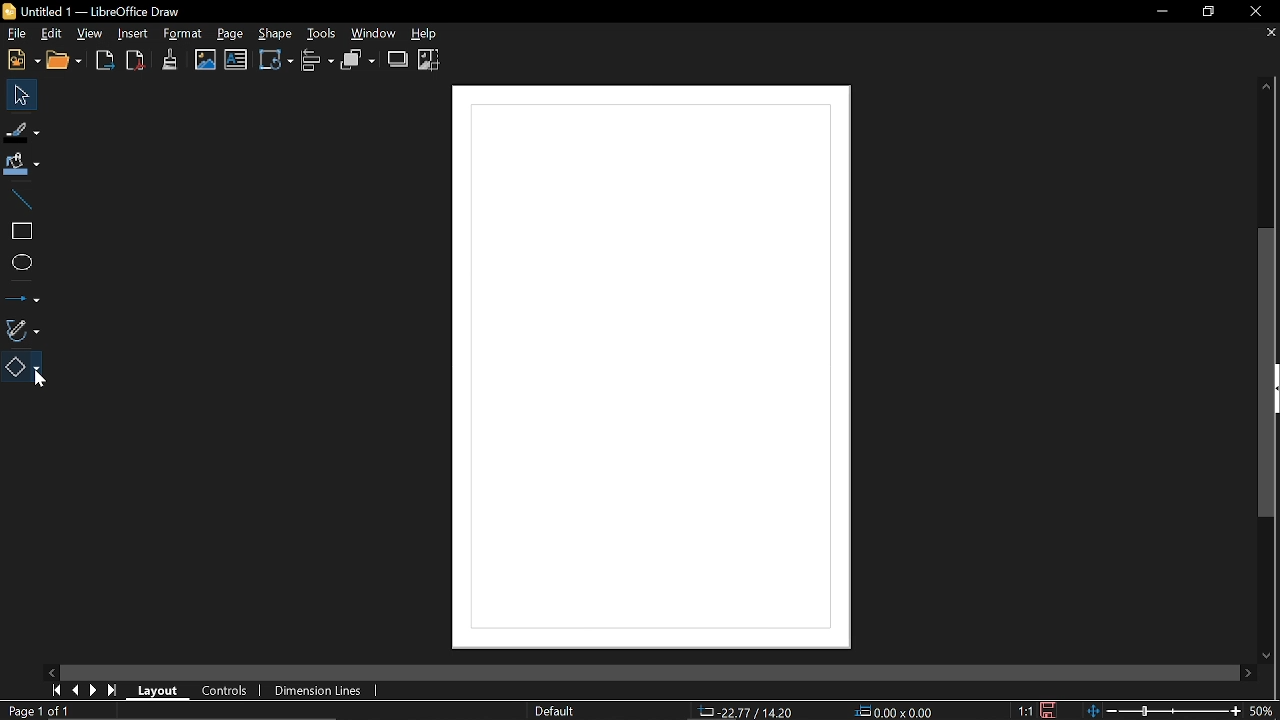  What do you see at coordinates (225, 692) in the screenshot?
I see `Controls` at bounding box center [225, 692].